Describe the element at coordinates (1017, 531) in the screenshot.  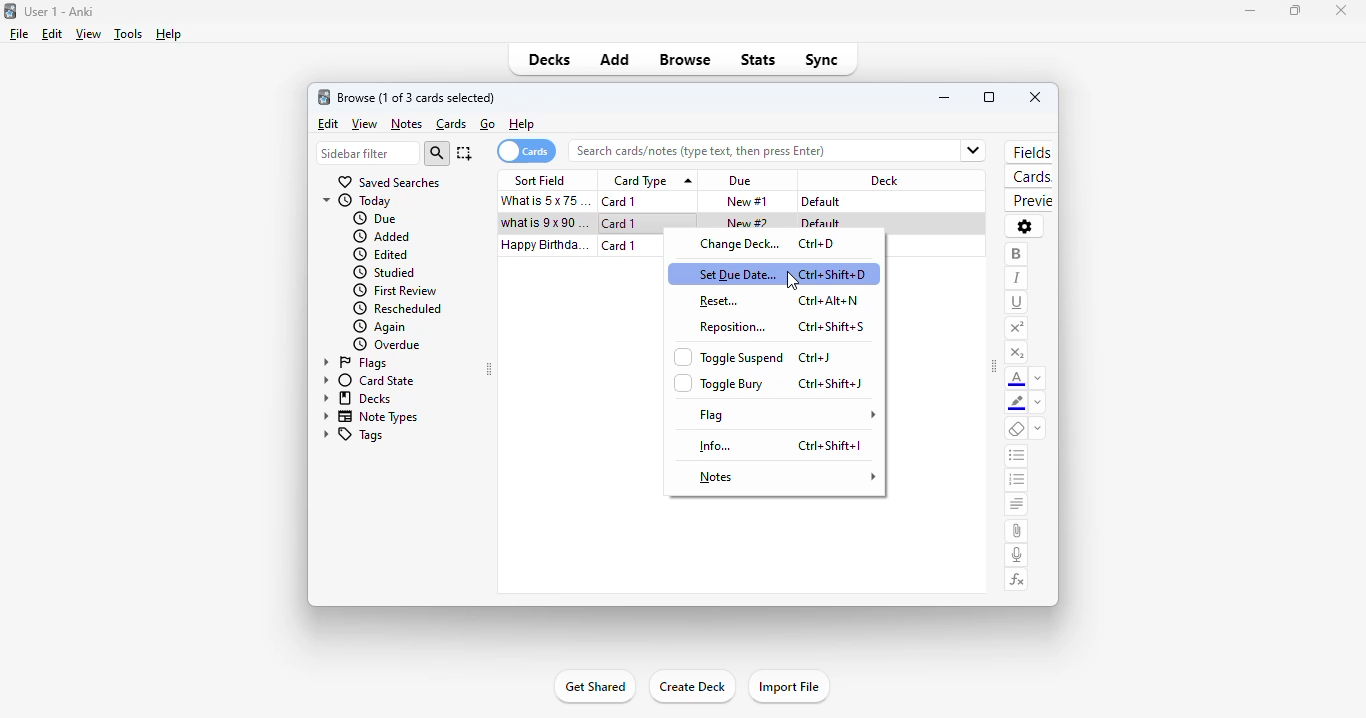
I see `attach pictures/audio/video` at that location.